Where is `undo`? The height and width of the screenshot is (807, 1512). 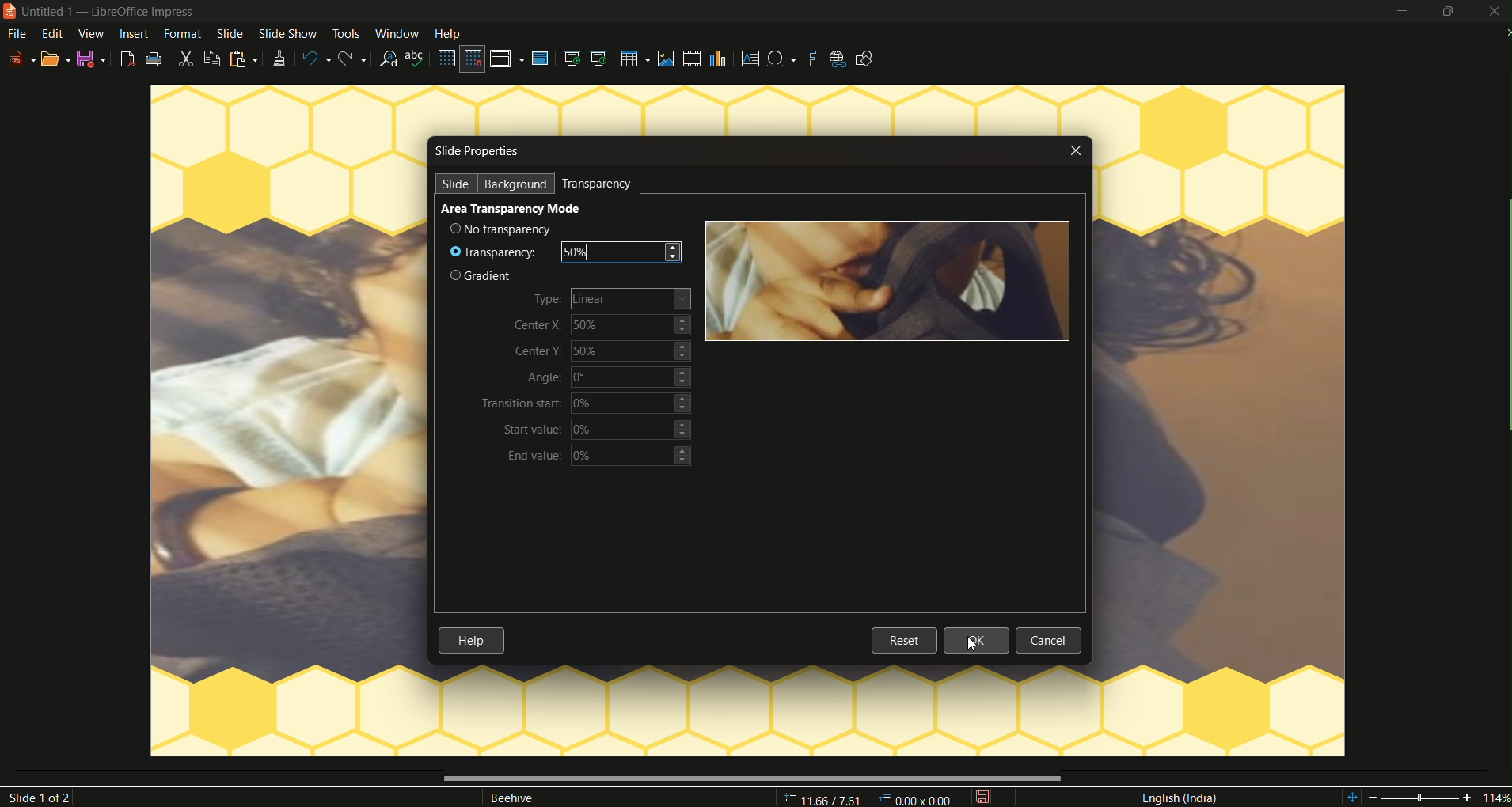
undo is located at coordinates (314, 56).